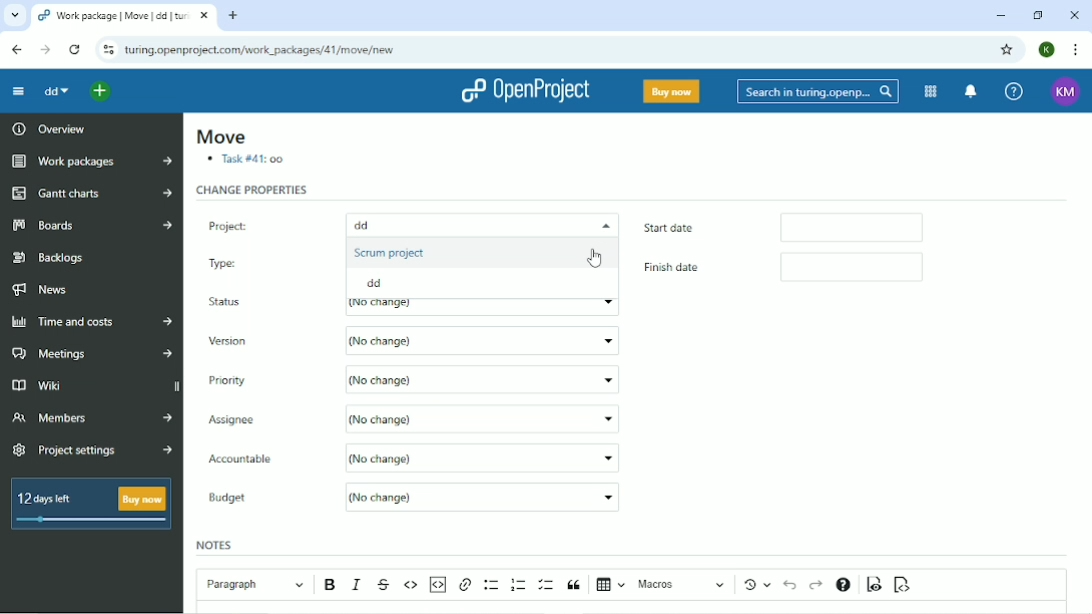 This screenshot has width=1092, height=614. Describe the element at coordinates (483, 341) in the screenshot. I see `(No change)` at that location.